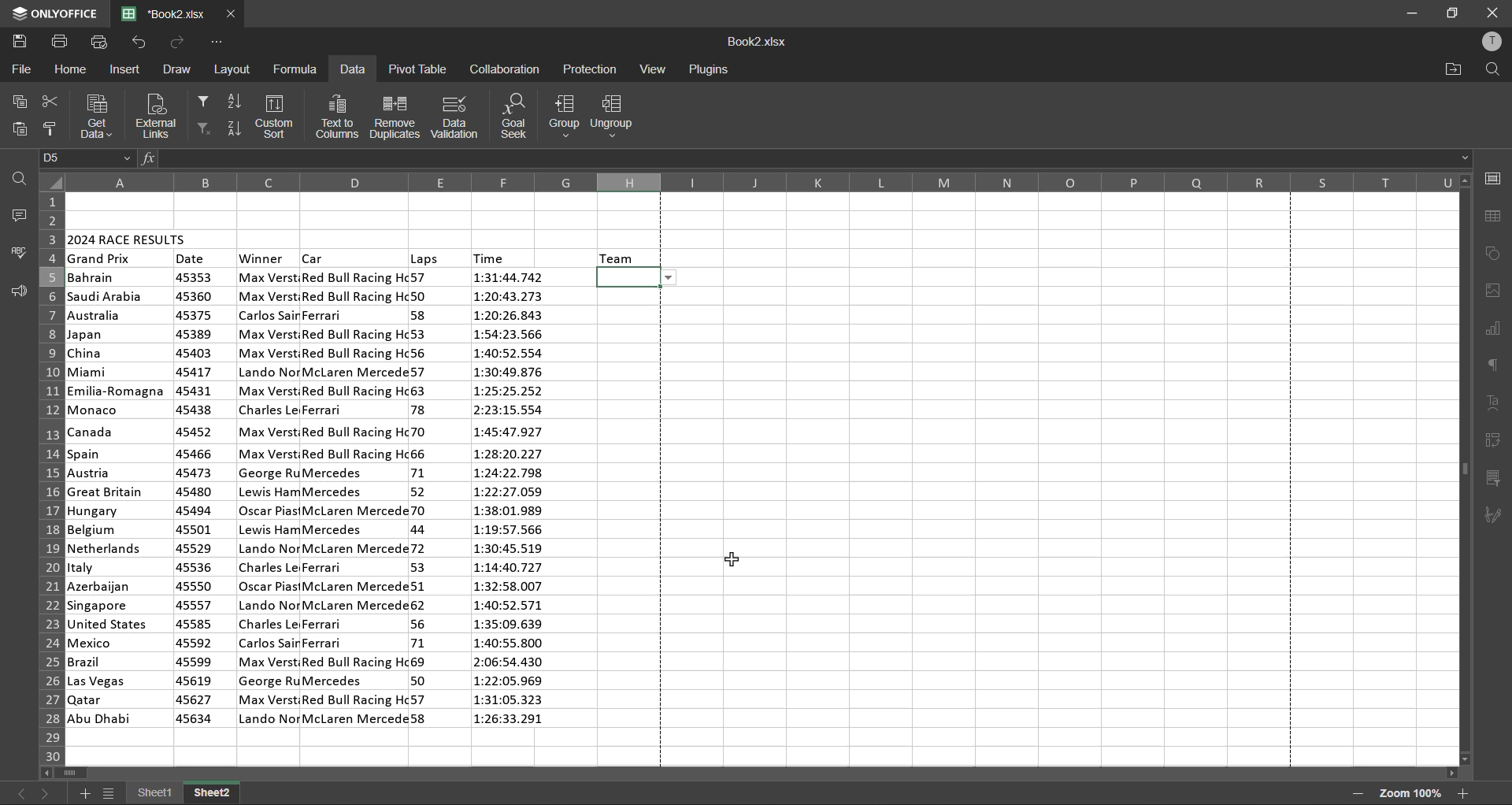 Image resolution: width=1512 pixels, height=805 pixels. Describe the element at coordinates (195, 499) in the screenshot. I see `date` at that location.